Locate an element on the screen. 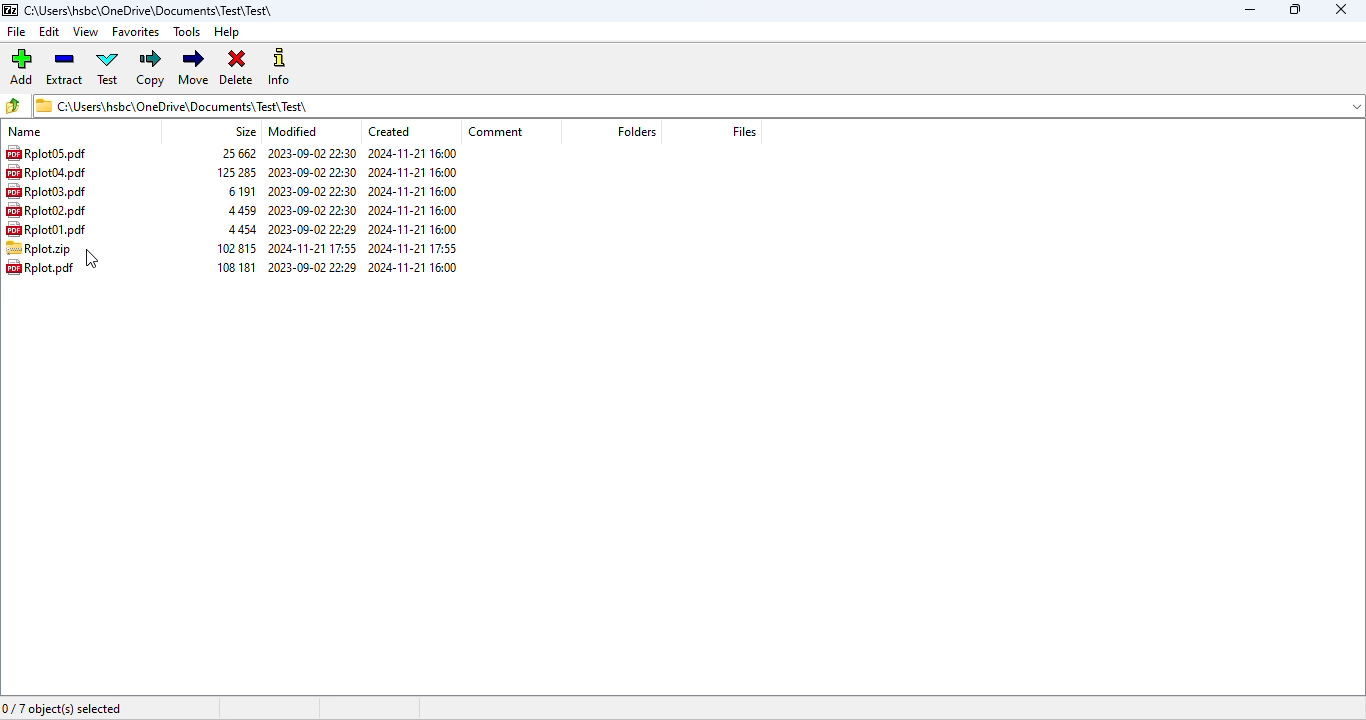 This screenshot has width=1366, height=720. maximize is located at coordinates (1295, 9).